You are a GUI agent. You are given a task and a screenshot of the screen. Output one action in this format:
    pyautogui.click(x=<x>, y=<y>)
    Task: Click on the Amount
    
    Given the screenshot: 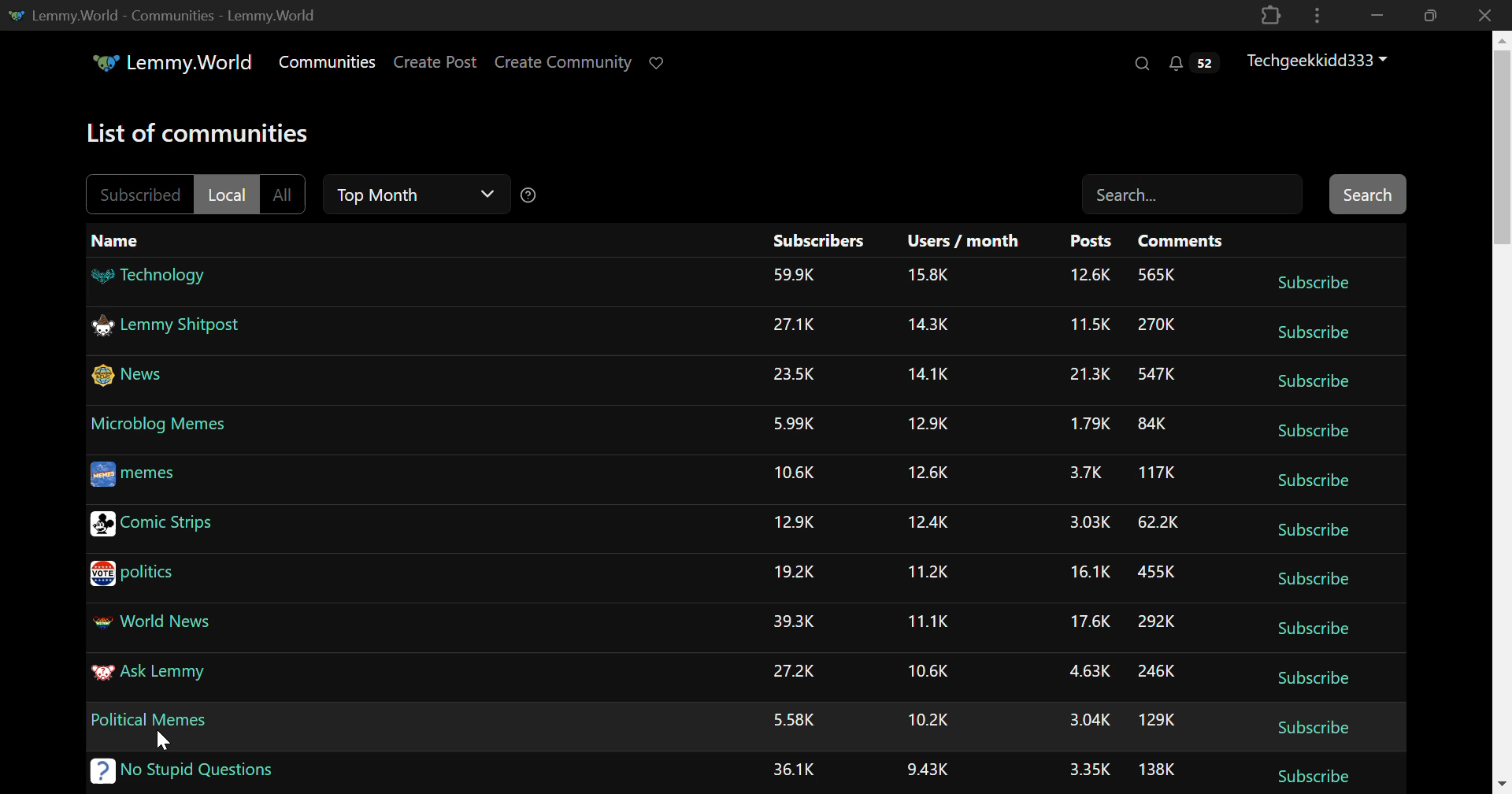 What is the action you would take?
    pyautogui.click(x=1087, y=770)
    